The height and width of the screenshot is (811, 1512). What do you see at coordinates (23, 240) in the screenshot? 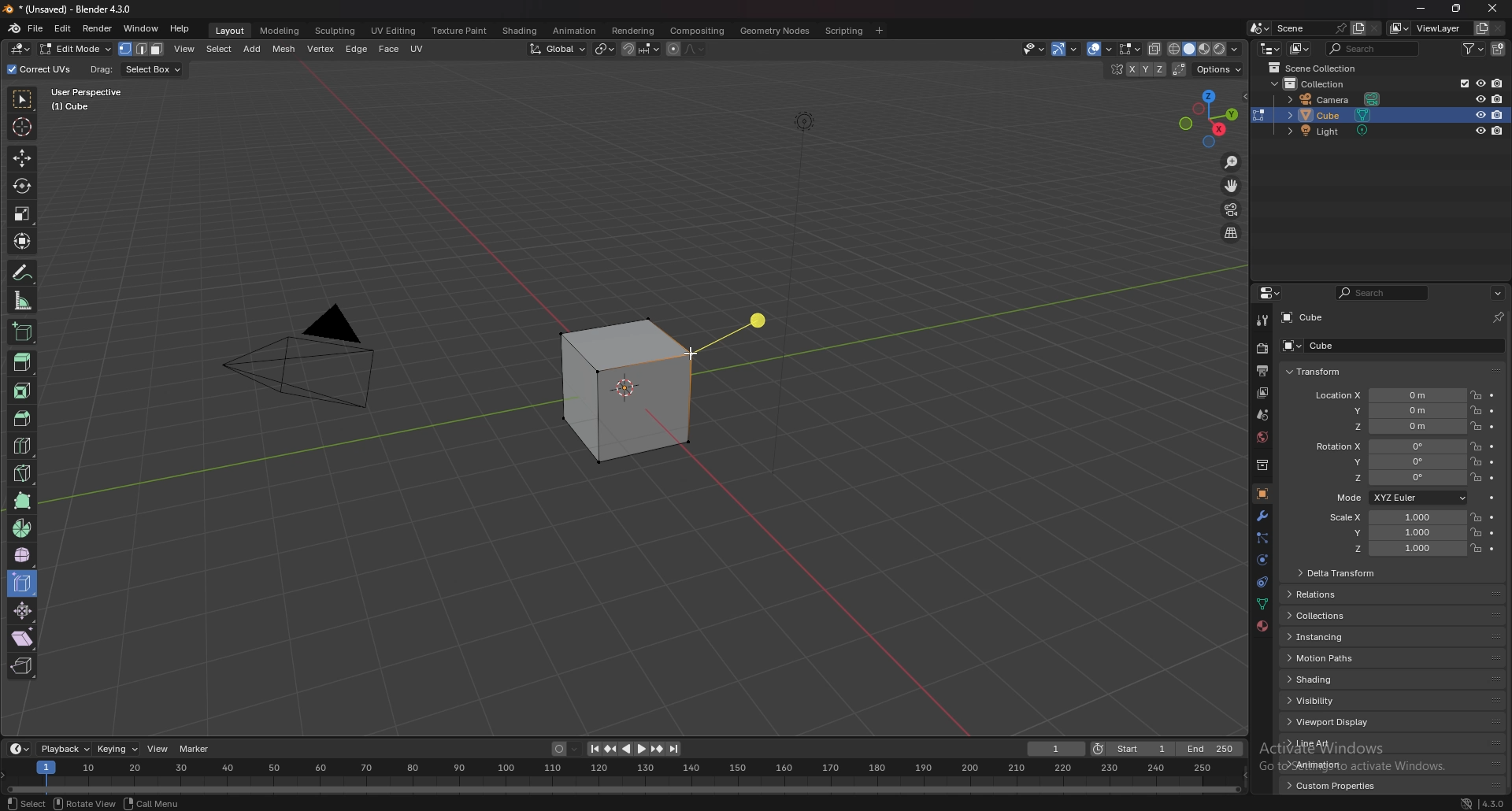
I see `transform` at bounding box center [23, 240].